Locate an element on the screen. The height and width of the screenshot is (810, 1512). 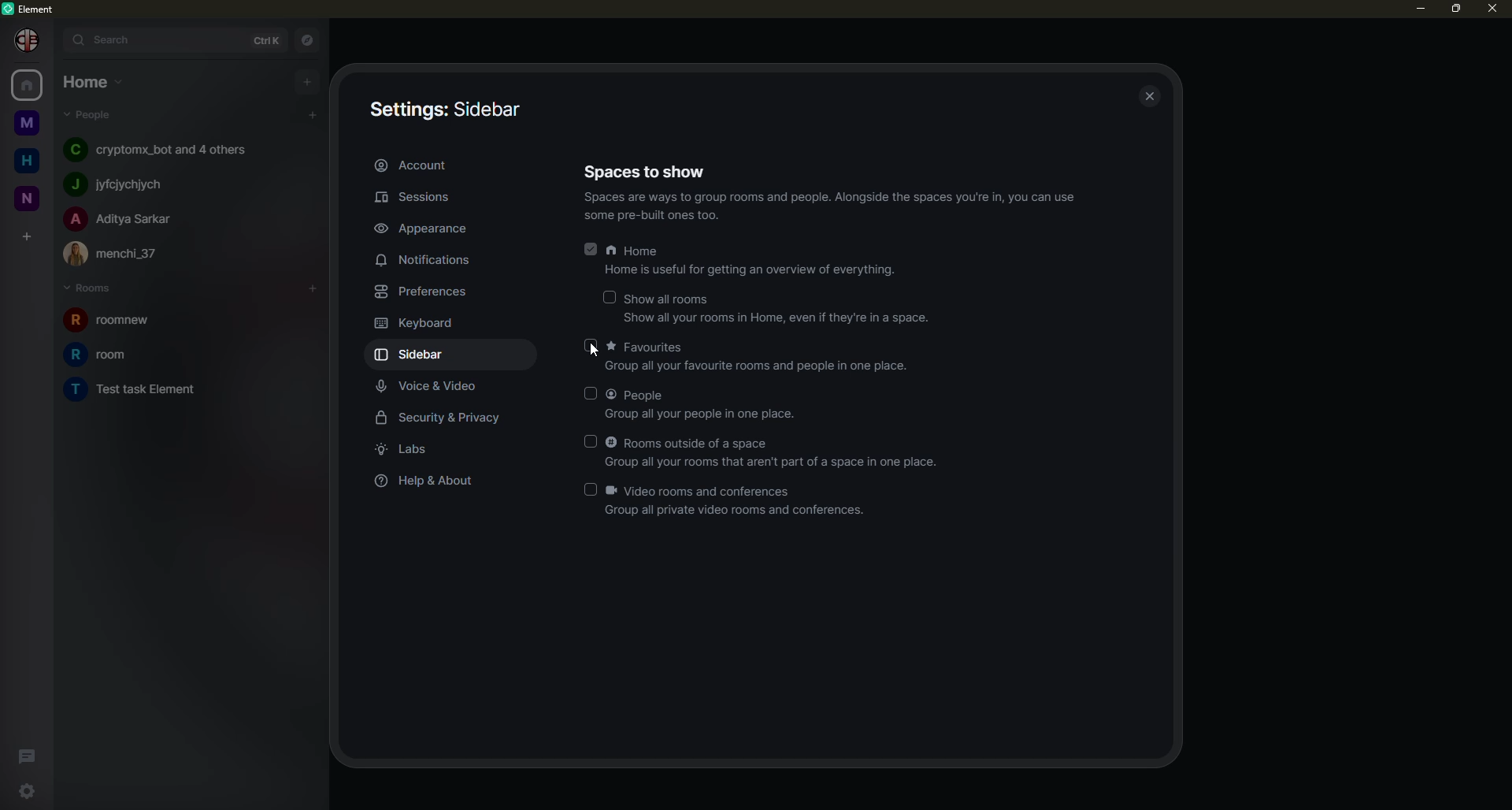
new is located at coordinates (25, 199).